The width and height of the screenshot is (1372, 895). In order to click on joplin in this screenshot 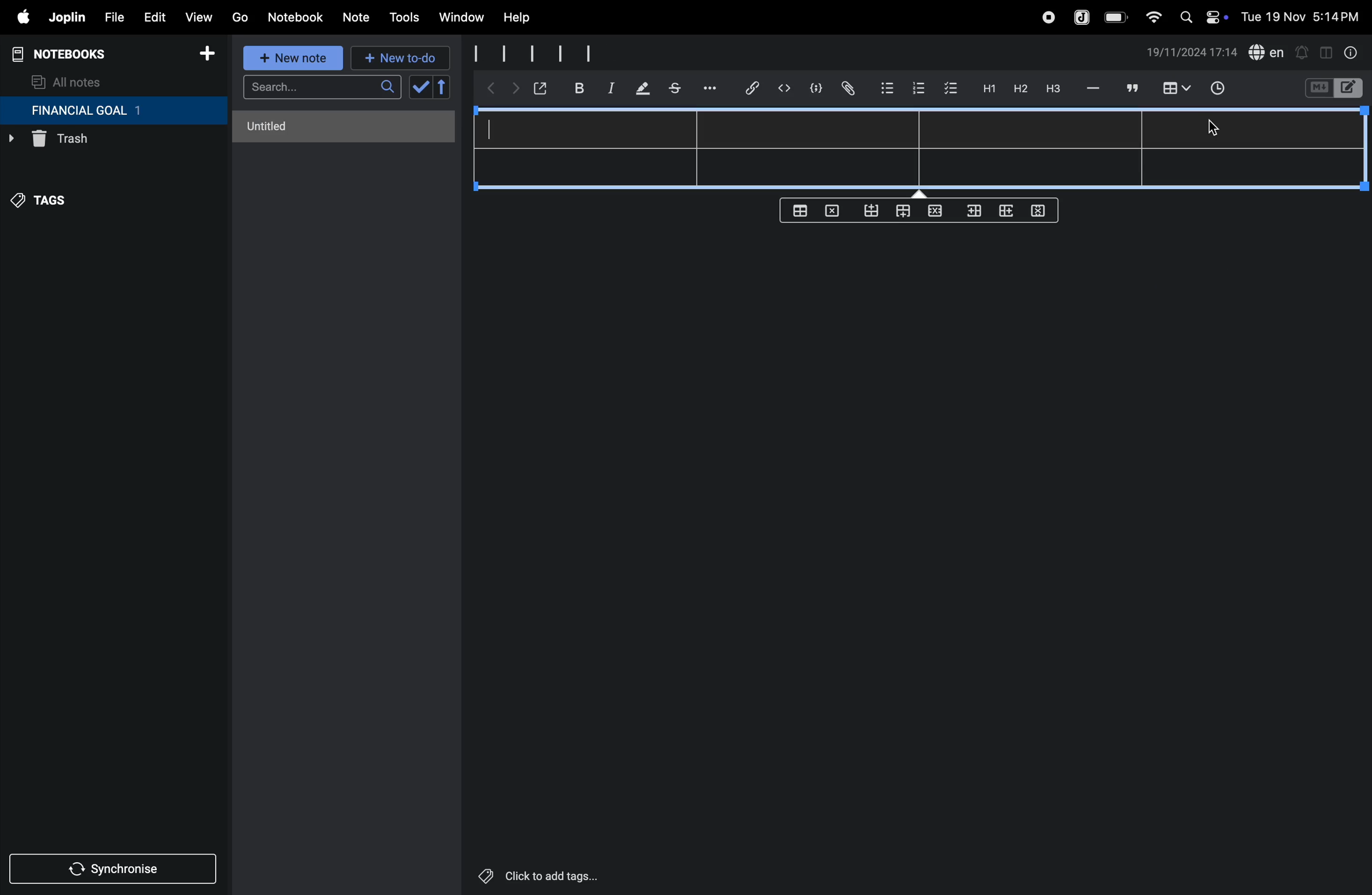, I will do `click(1083, 16)`.